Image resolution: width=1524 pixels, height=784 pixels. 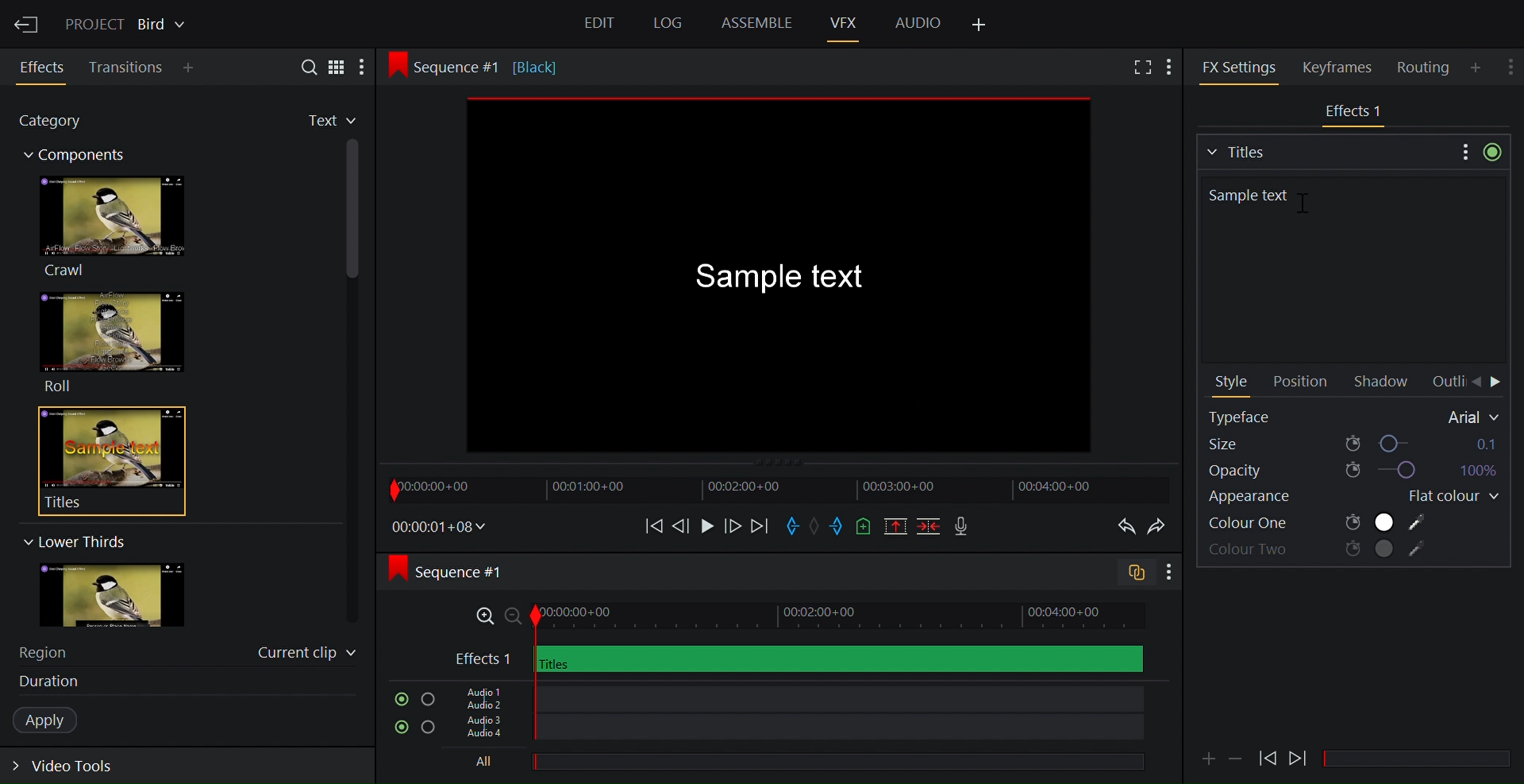 What do you see at coordinates (1351, 471) in the screenshot?
I see `Opacity` at bounding box center [1351, 471].